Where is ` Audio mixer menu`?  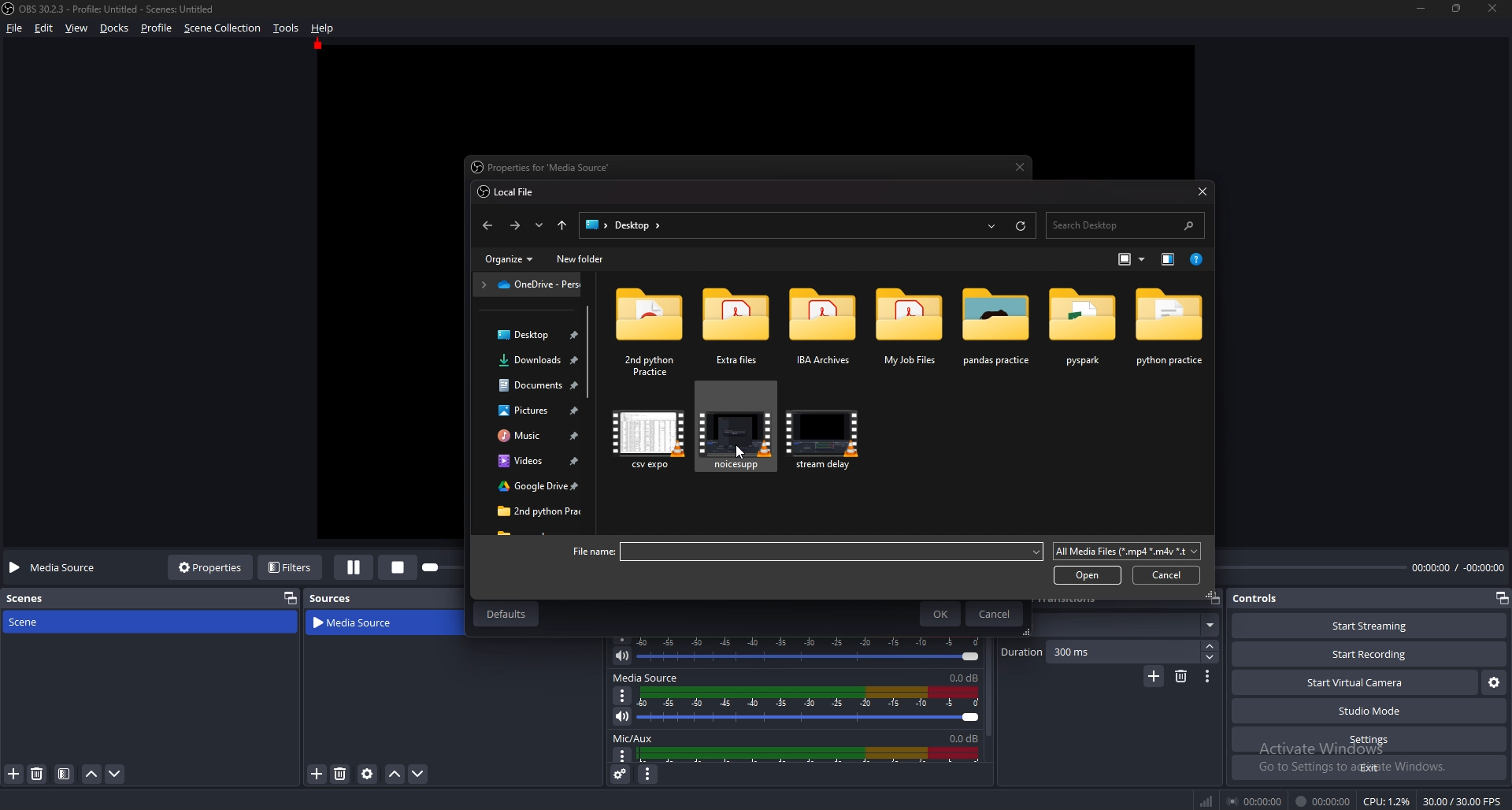
 Audio mixer menu is located at coordinates (647, 775).